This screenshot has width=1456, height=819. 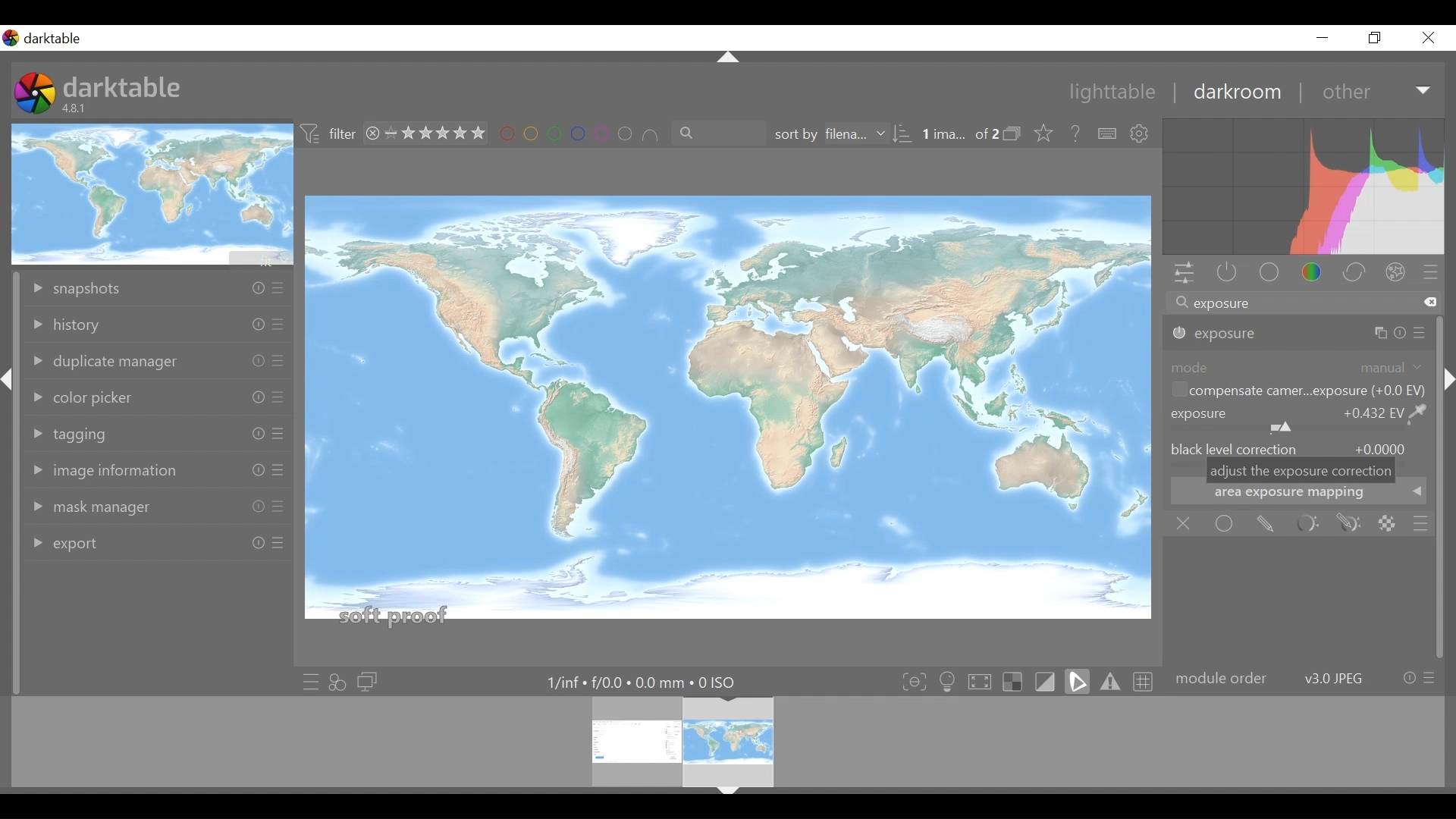 I want to click on toggle high quality processing, so click(x=984, y=681).